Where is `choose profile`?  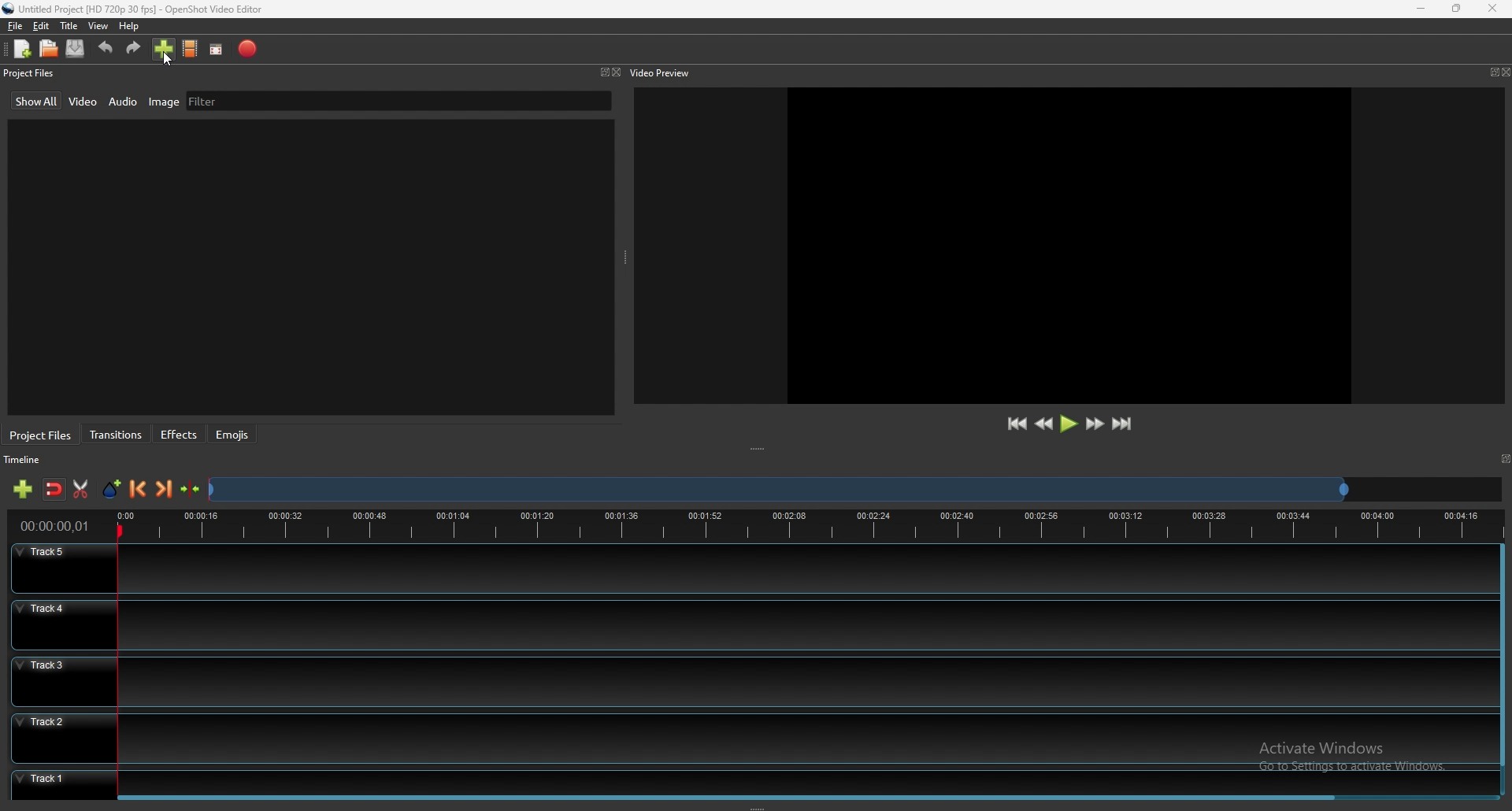
choose profile is located at coordinates (191, 47).